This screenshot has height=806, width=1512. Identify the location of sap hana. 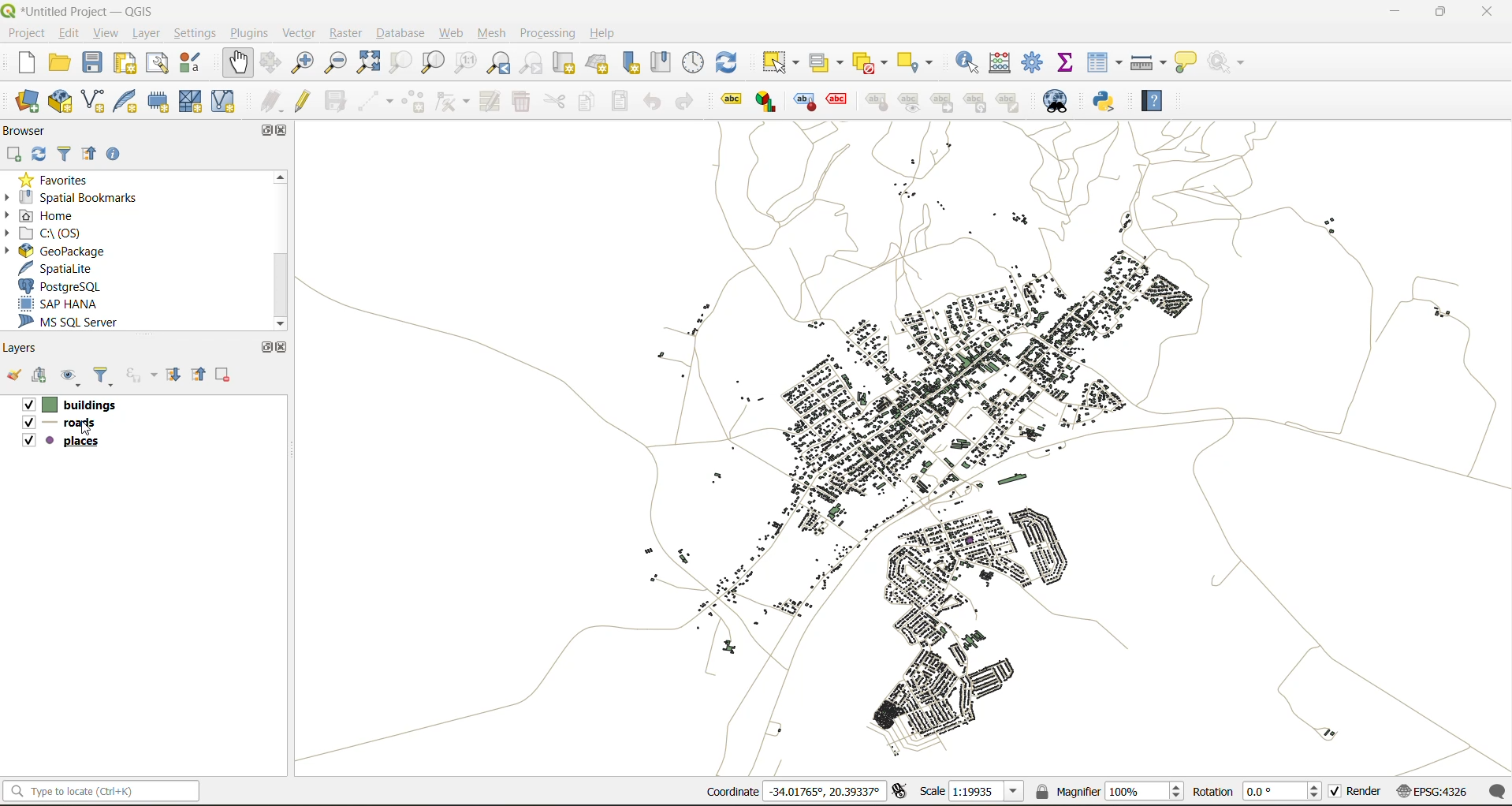
(61, 303).